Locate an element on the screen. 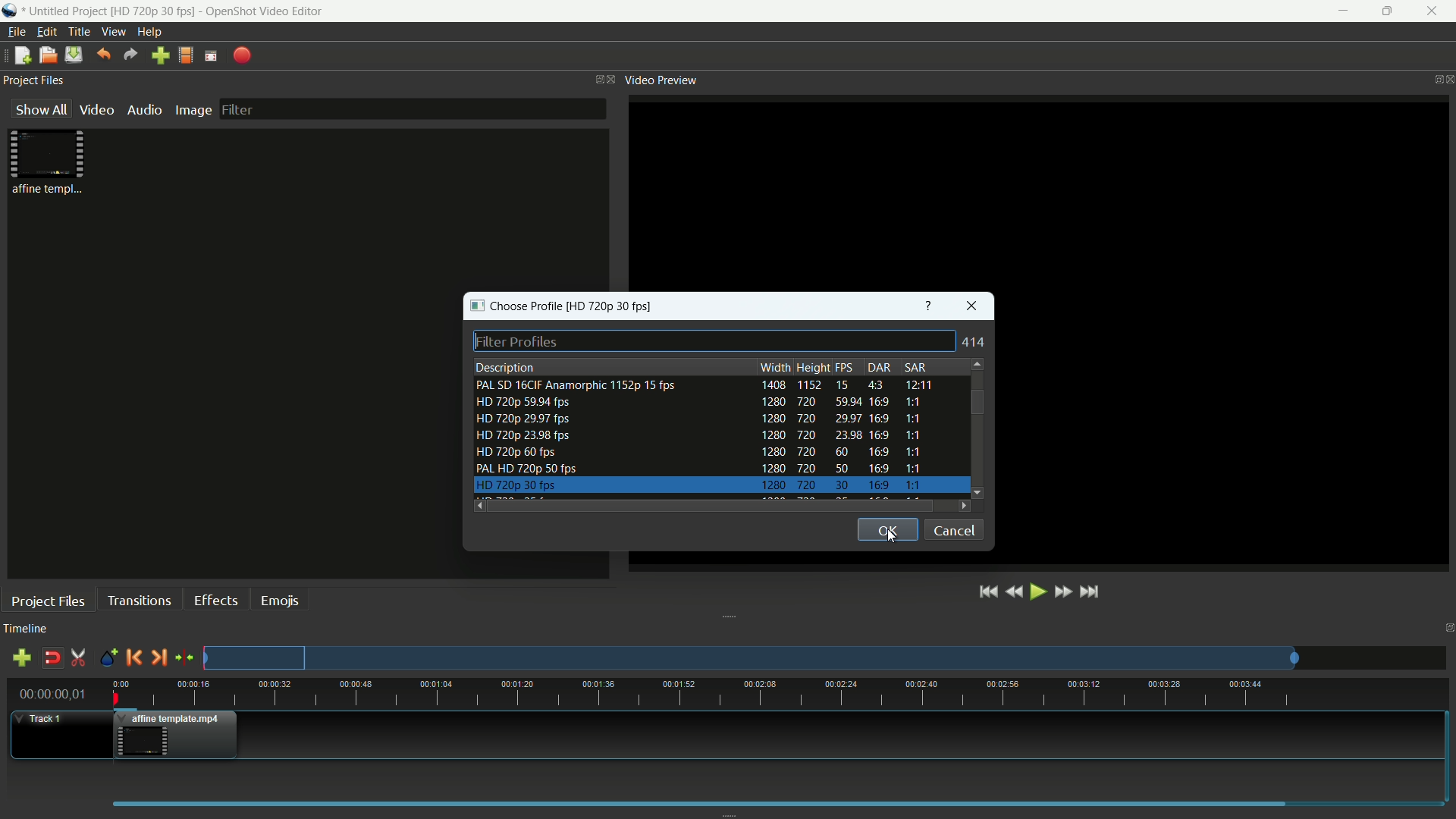 The width and height of the screenshot is (1456, 819). export is located at coordinates (241, 56).